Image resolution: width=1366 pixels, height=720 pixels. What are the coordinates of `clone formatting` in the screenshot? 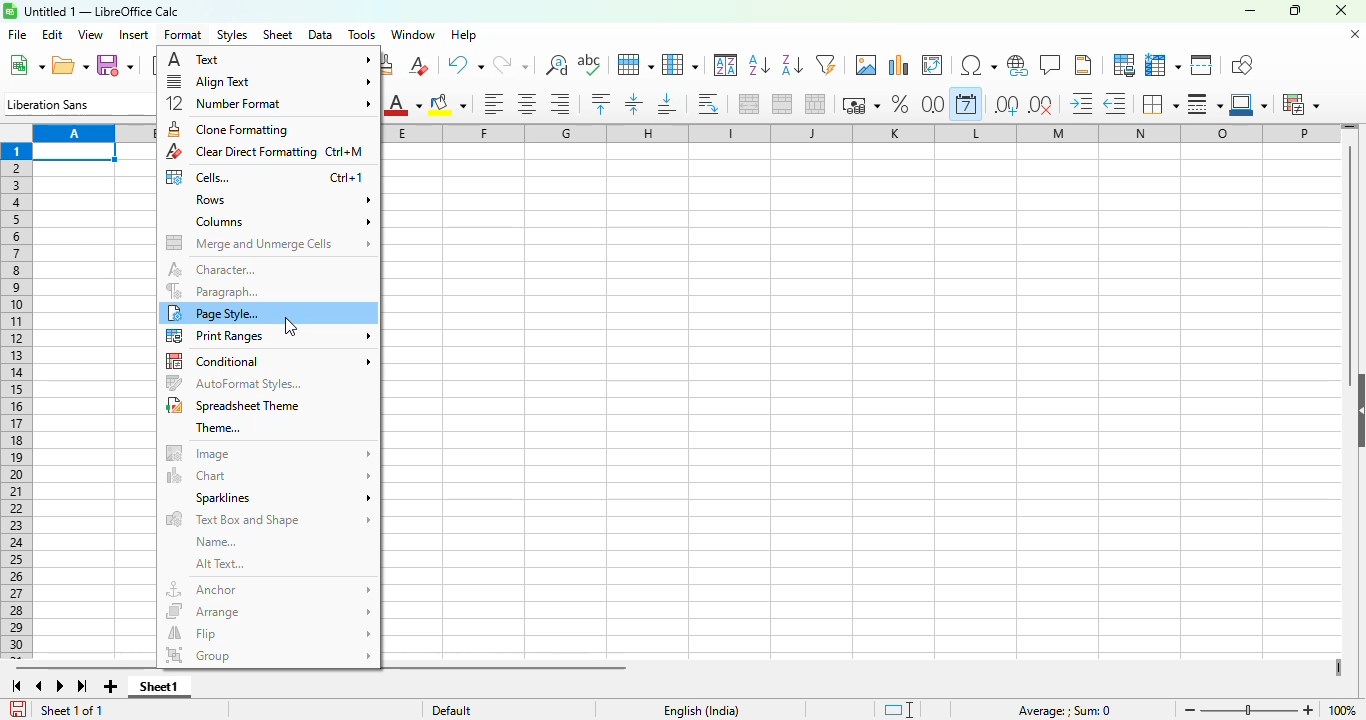 It's located at (391, 65).